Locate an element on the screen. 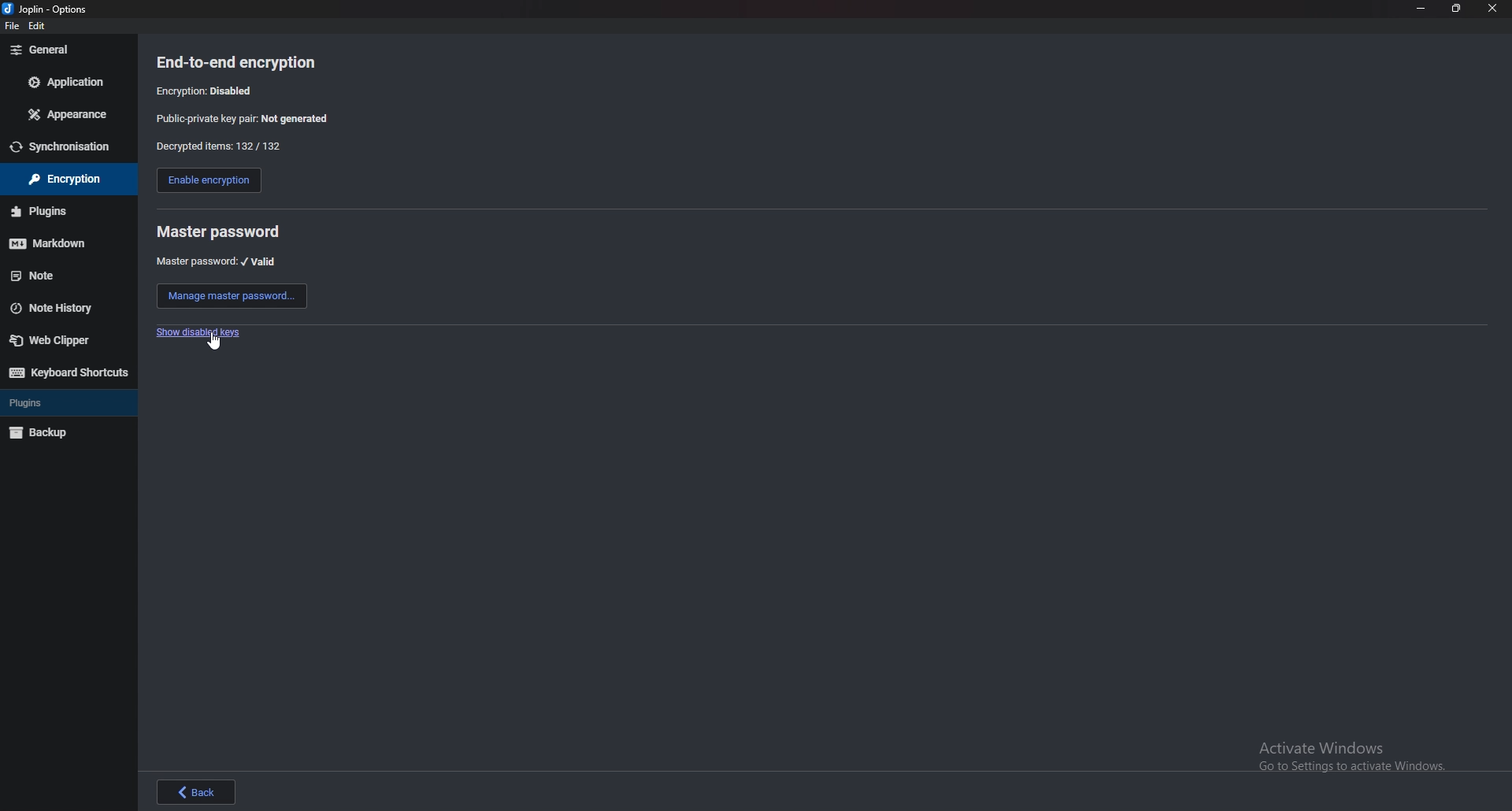 The width and height of the screenshot is (1512, 811). web clipper is located at coordinates (63, 339).